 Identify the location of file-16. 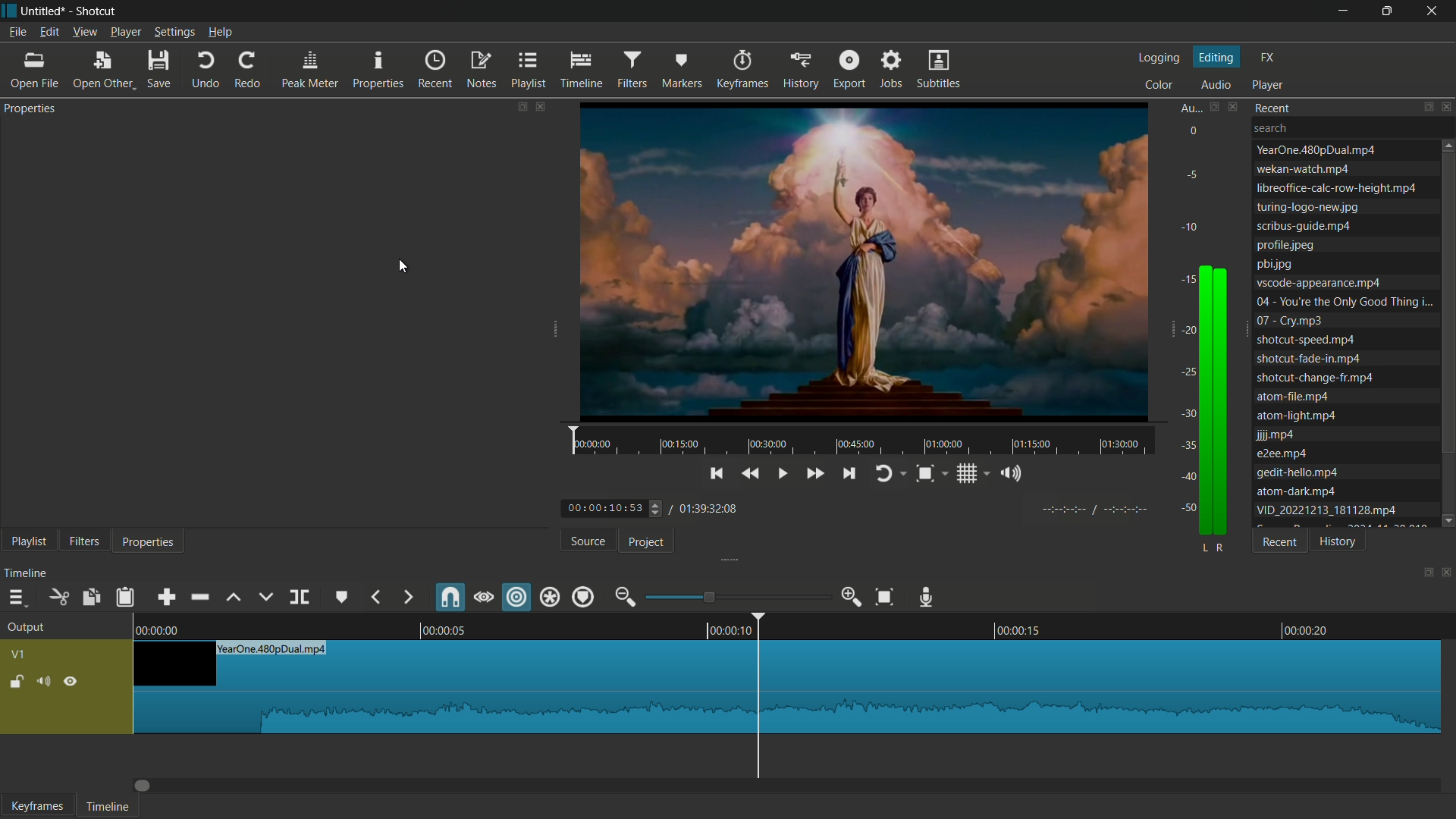
(1276, 436).